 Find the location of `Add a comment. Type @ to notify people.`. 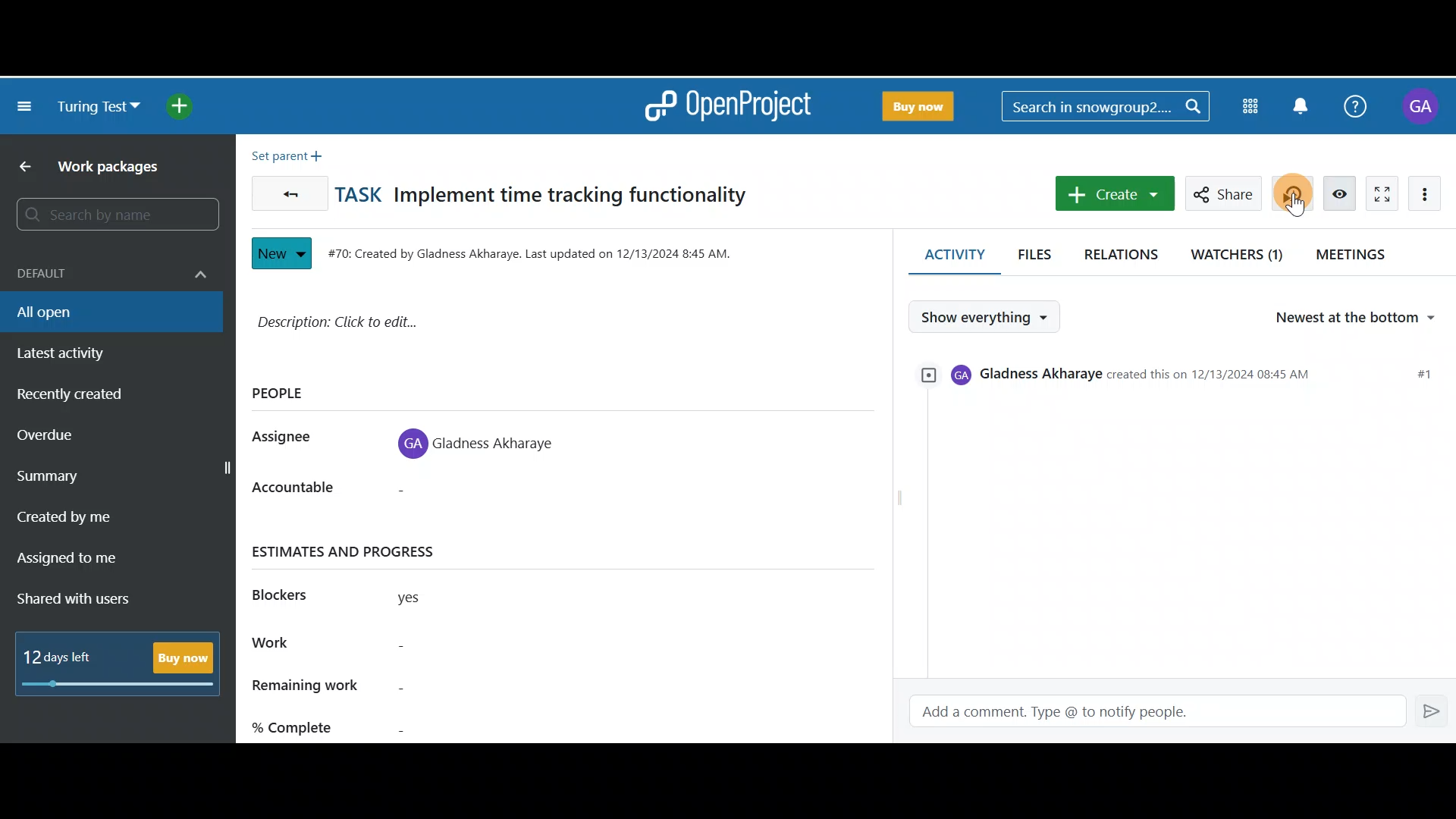

Add a comment. Type @ to notify people. is located at coordinates (1147, 712).